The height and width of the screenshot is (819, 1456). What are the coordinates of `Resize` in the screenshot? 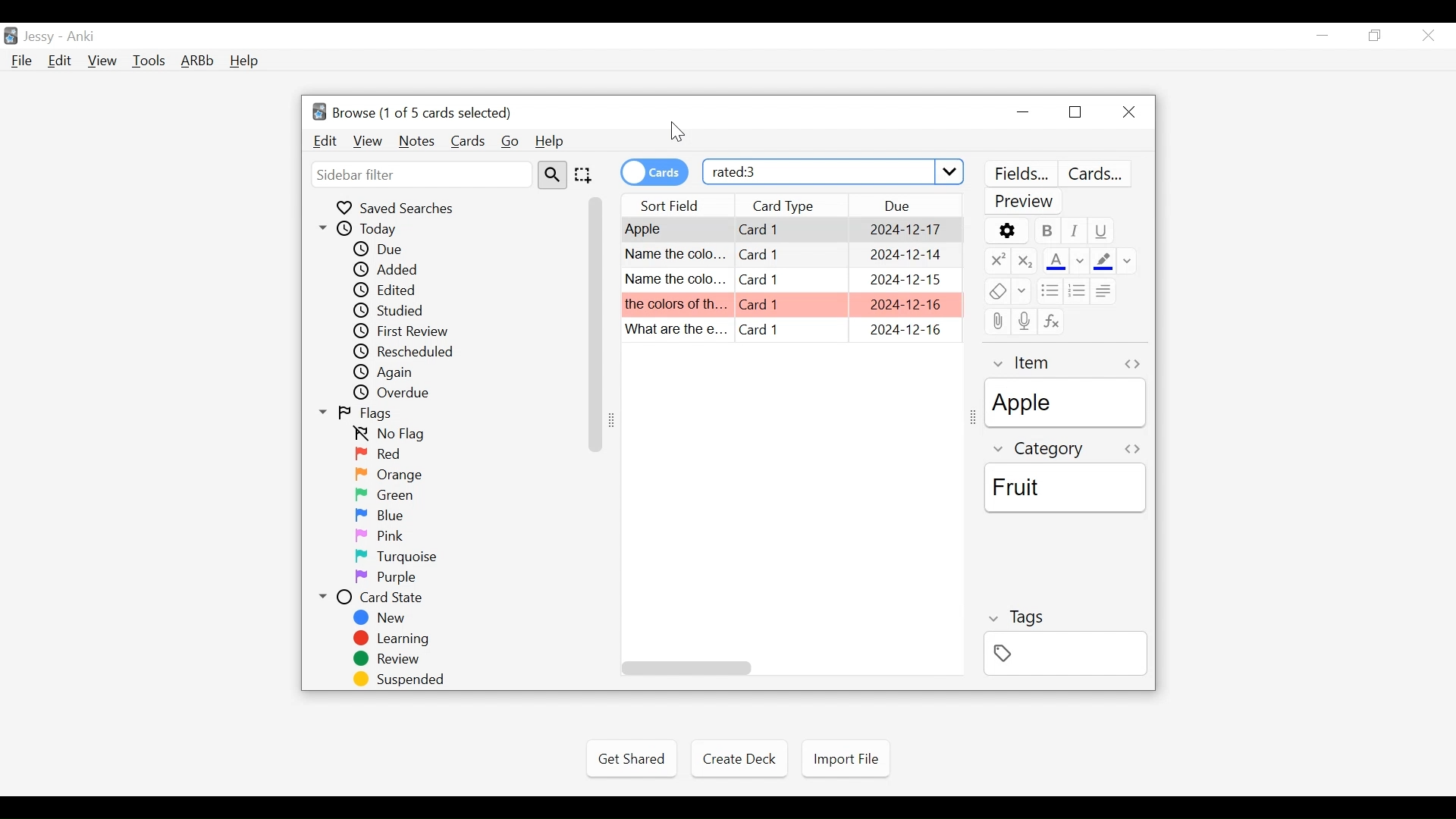 It's located at (972, 418).